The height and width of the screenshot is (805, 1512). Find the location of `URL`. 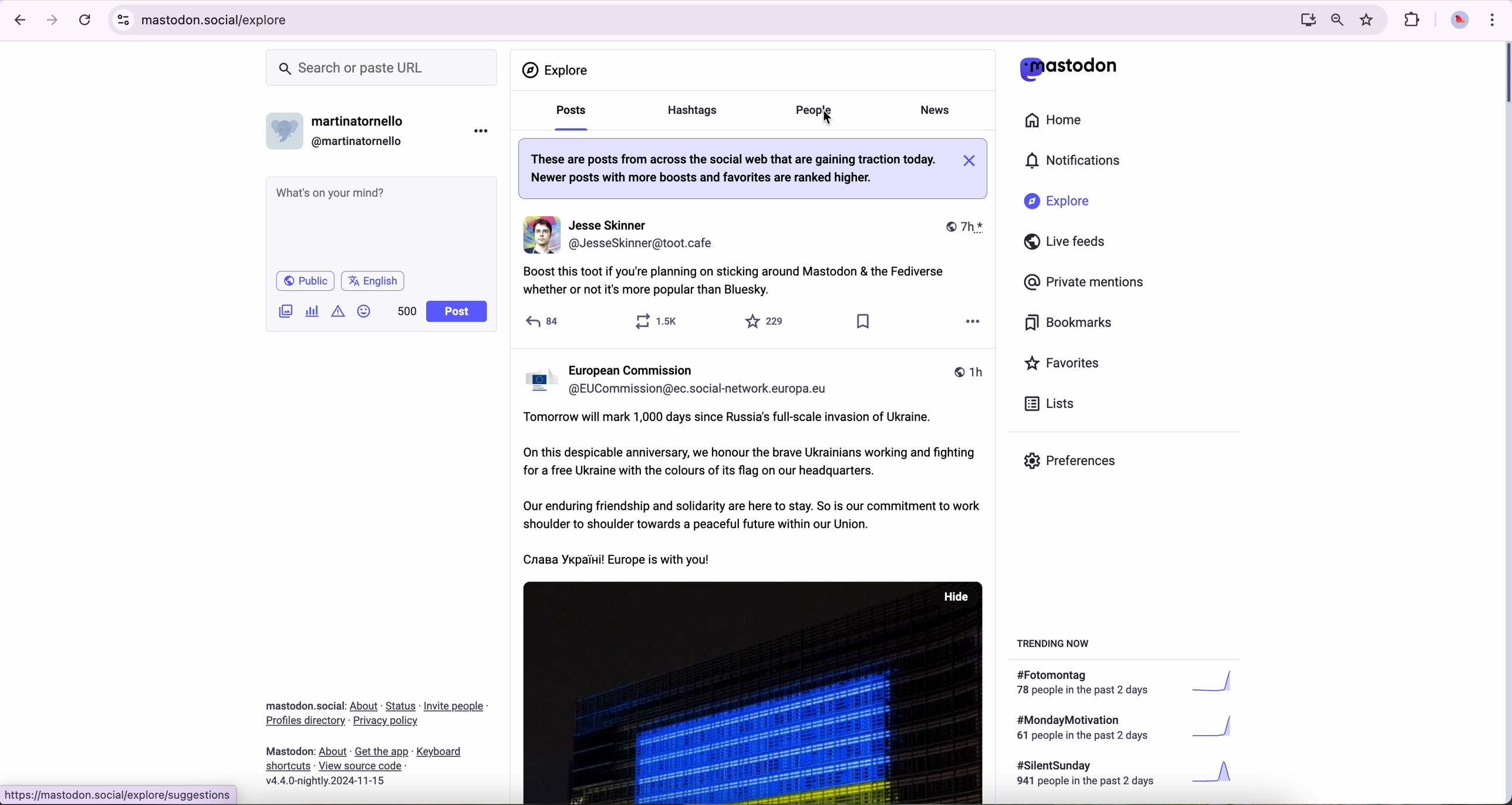

URL is located at coordinates (217, 18).